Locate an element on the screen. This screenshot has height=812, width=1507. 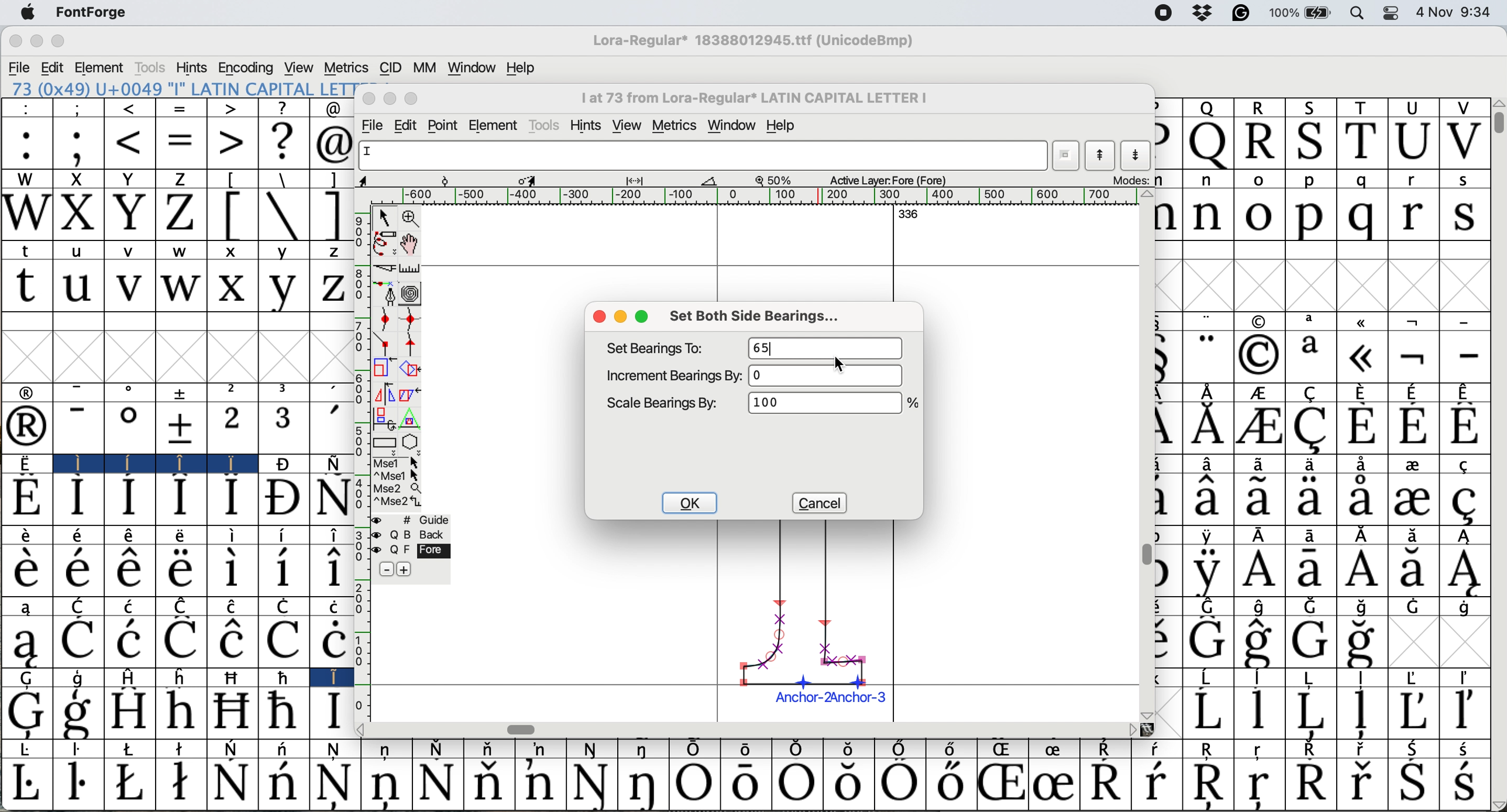
p is located at coordinates (1310, 181).